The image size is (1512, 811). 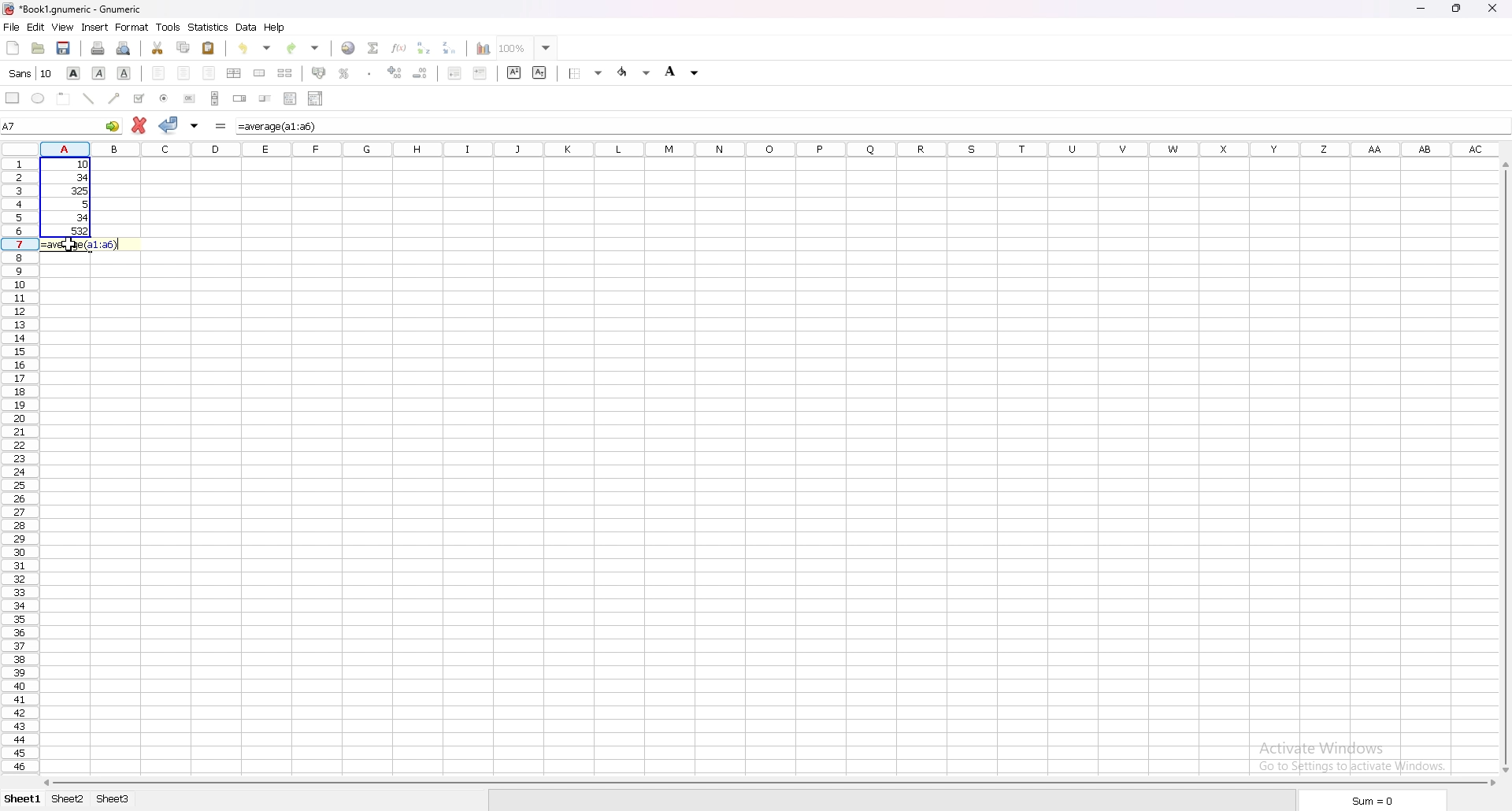 I want to click on radio button, so click(x=165, y=98).